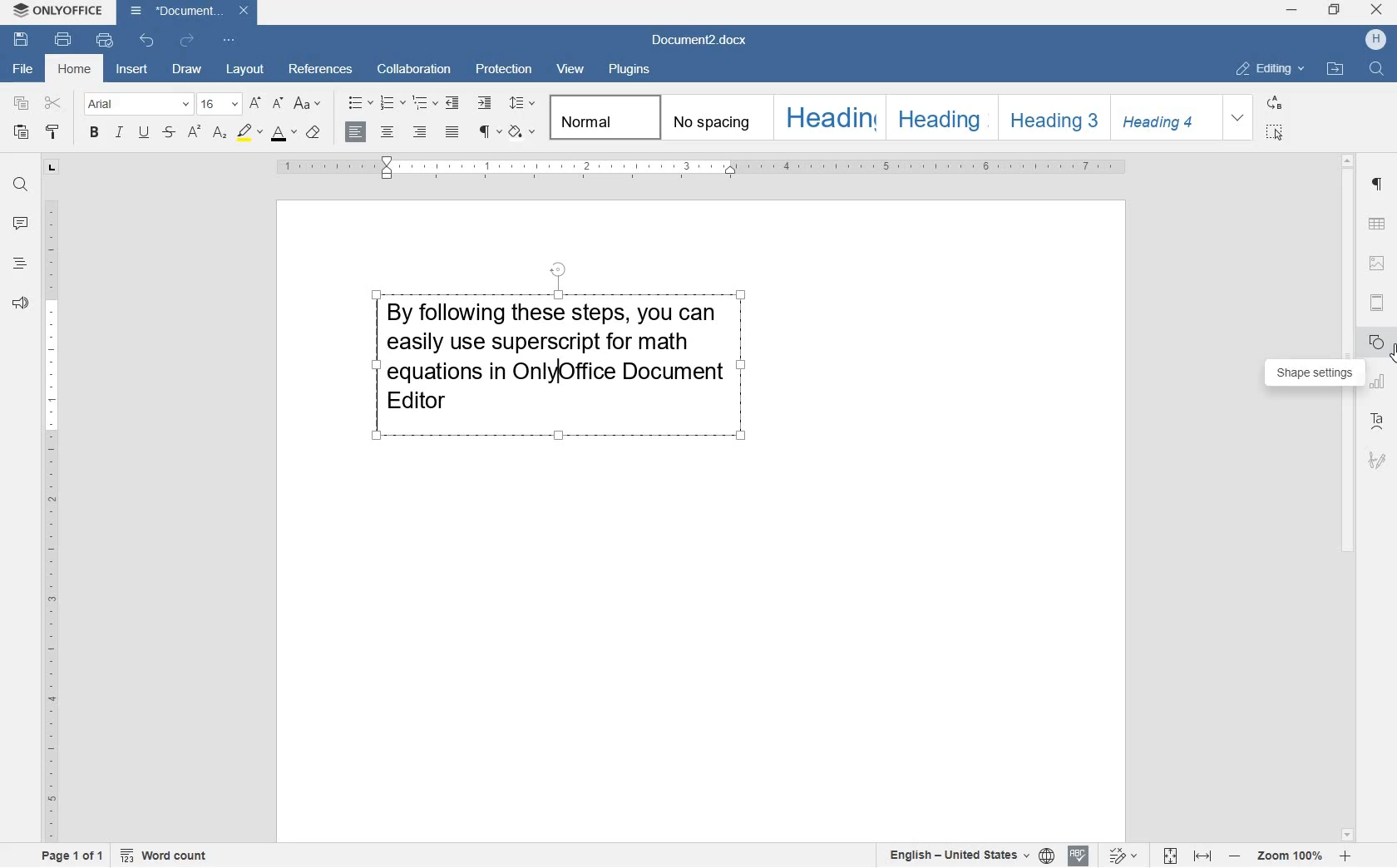 This screenshot has height=868, width=1397. Describe the element at coordinates (602, 117) in the screenshot. I see `Normal` at that location.